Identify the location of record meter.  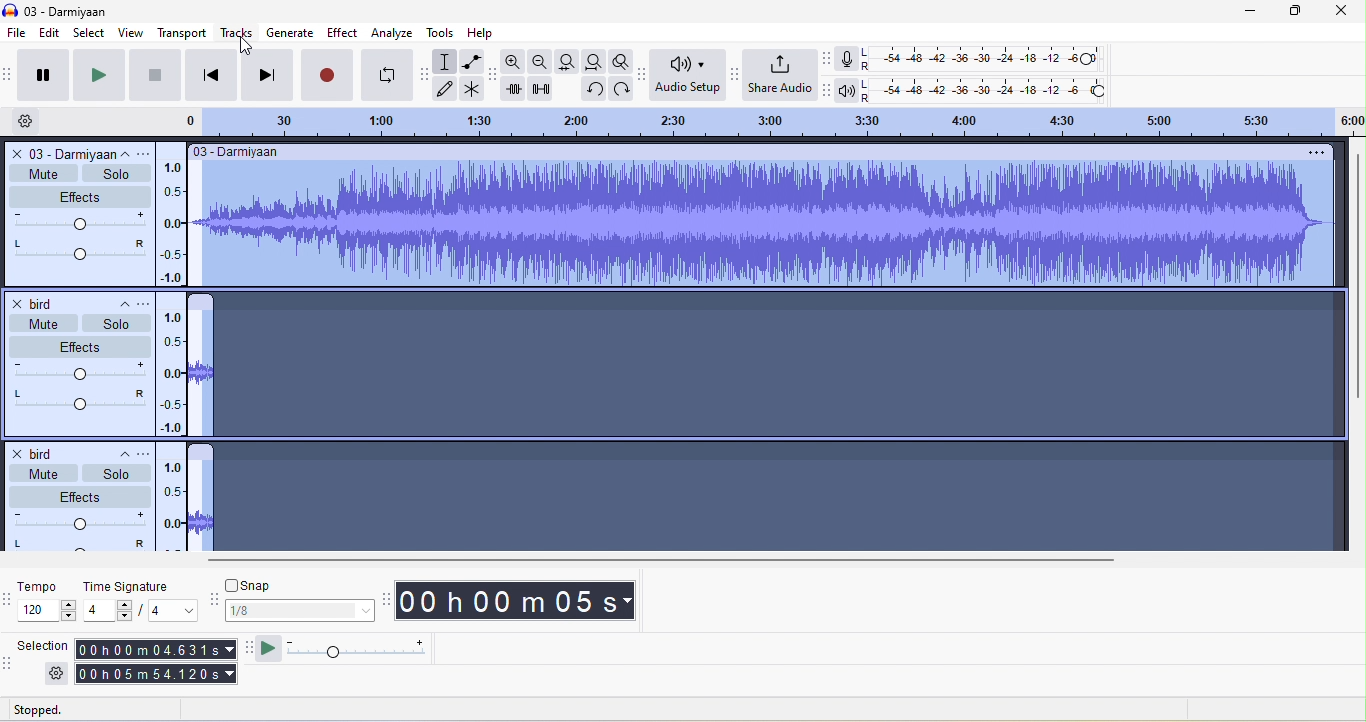
(846, 62).